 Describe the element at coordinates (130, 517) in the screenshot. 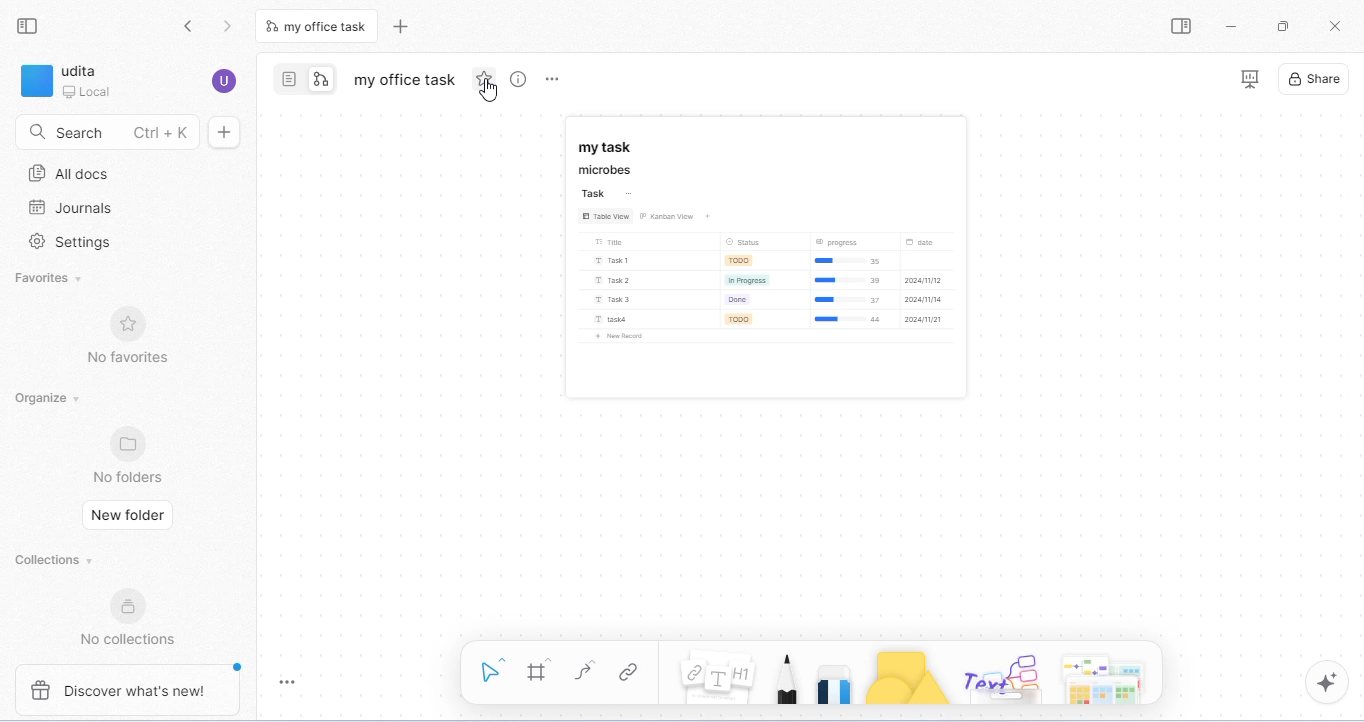

I see `new folder` at that location.